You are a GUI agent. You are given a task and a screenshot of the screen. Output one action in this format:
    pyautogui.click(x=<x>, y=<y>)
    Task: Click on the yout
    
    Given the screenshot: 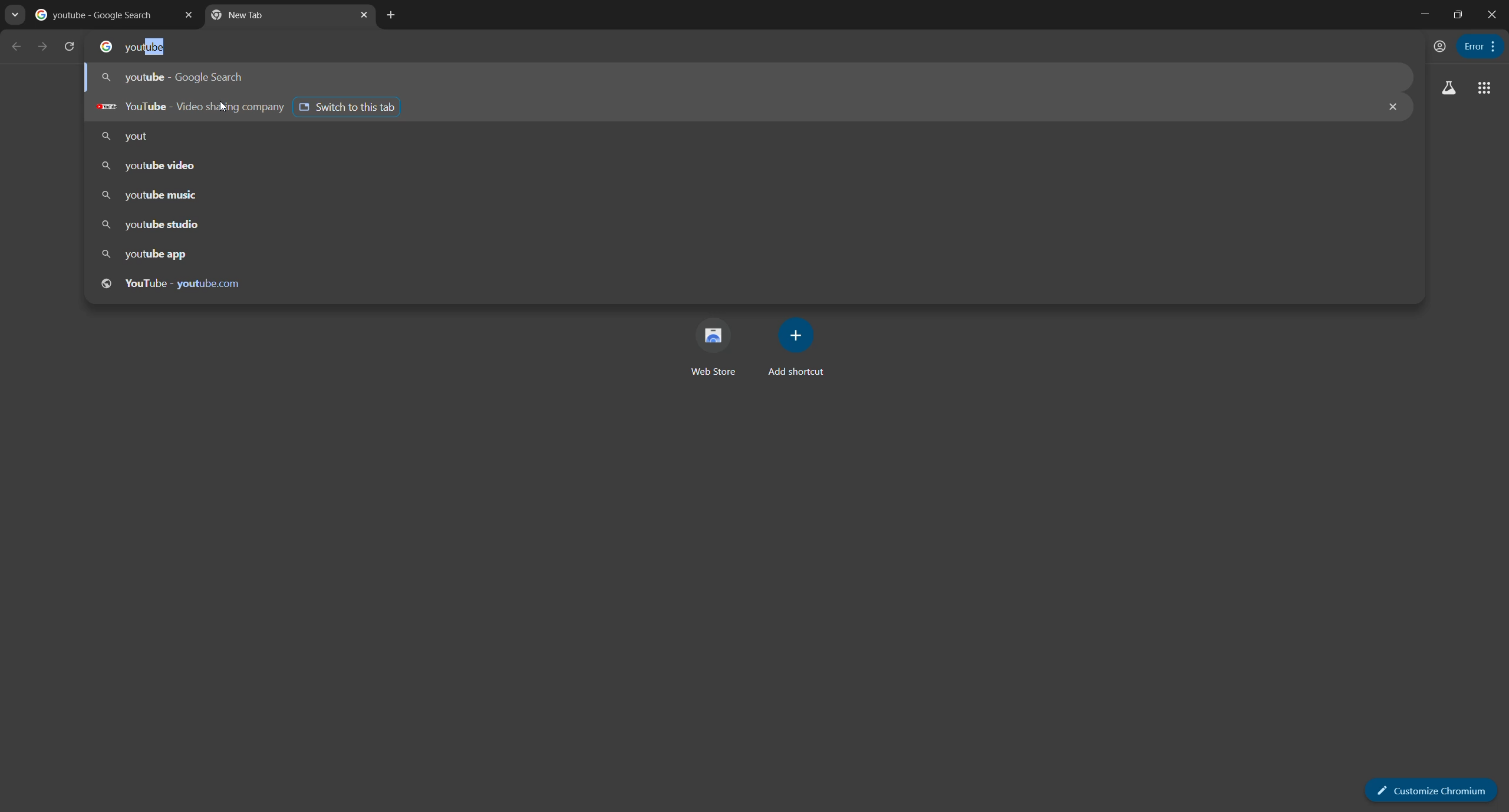 What is the action you would take?
    pyautogui.click(x=129, y=137)
    